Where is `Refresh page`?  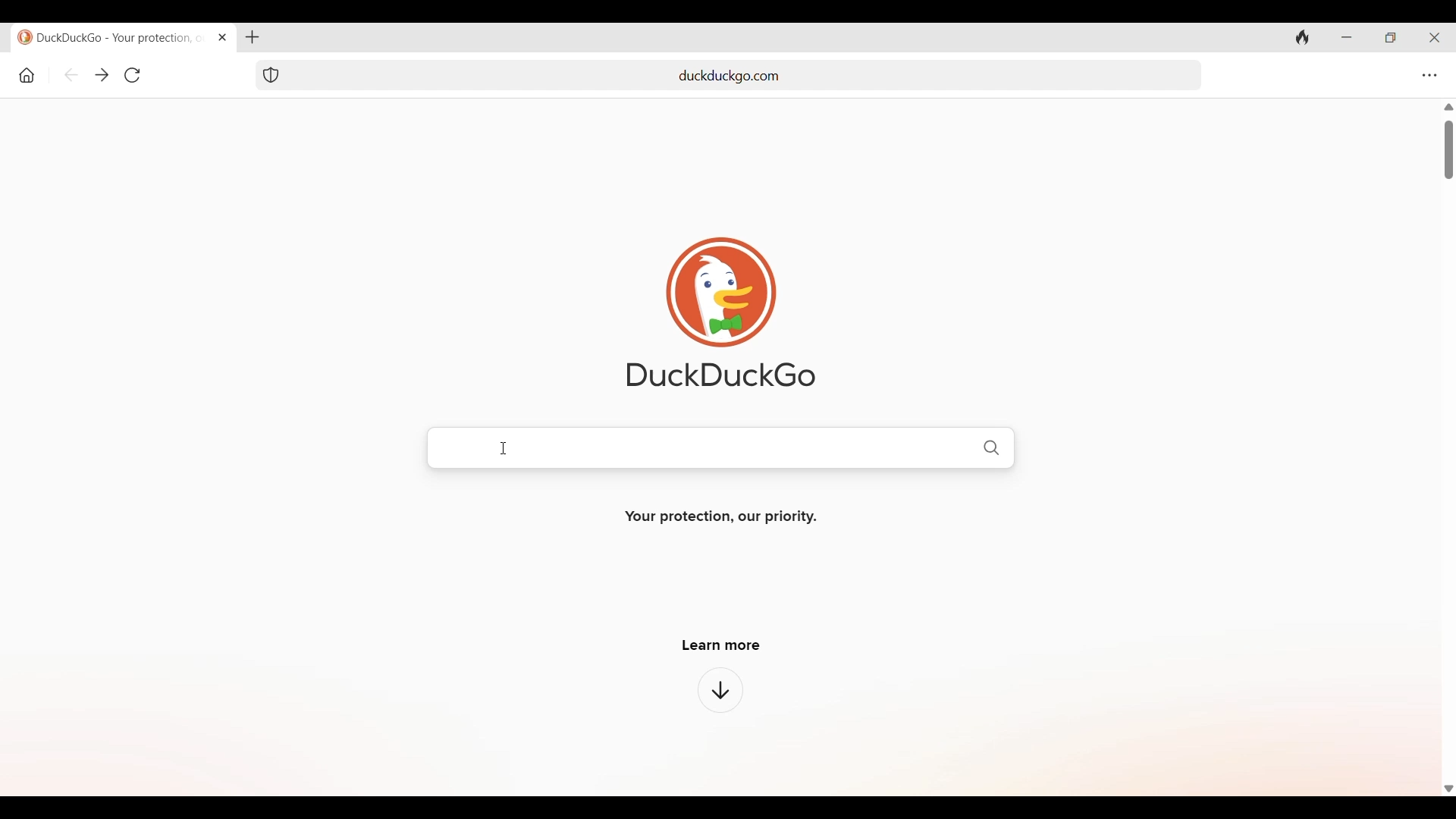 Refresh page is located at coordinates (133, 76).